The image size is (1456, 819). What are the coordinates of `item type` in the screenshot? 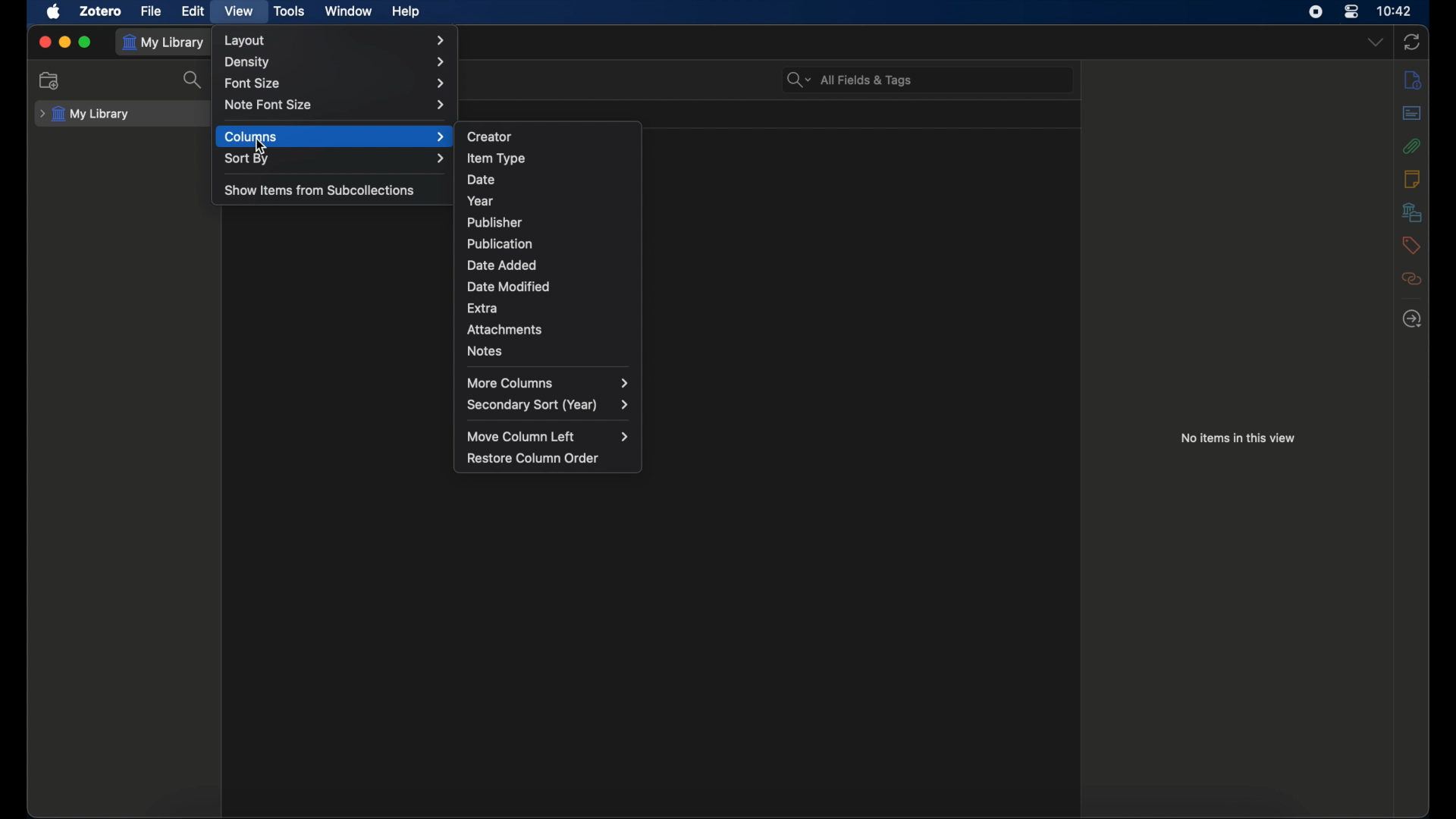 It's located at (496, 158).